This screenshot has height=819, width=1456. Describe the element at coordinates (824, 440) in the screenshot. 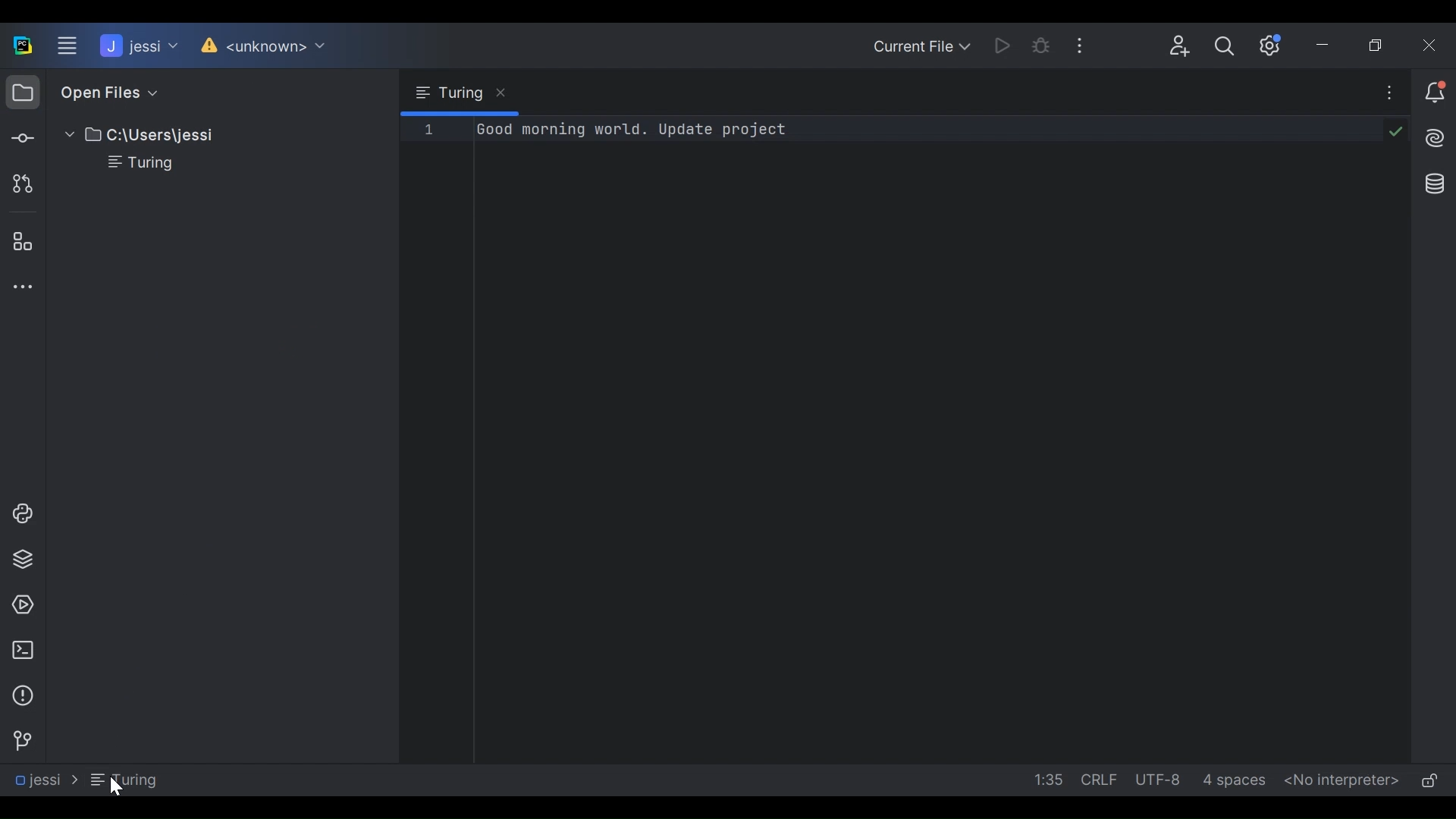

I see `Editor` at that location.